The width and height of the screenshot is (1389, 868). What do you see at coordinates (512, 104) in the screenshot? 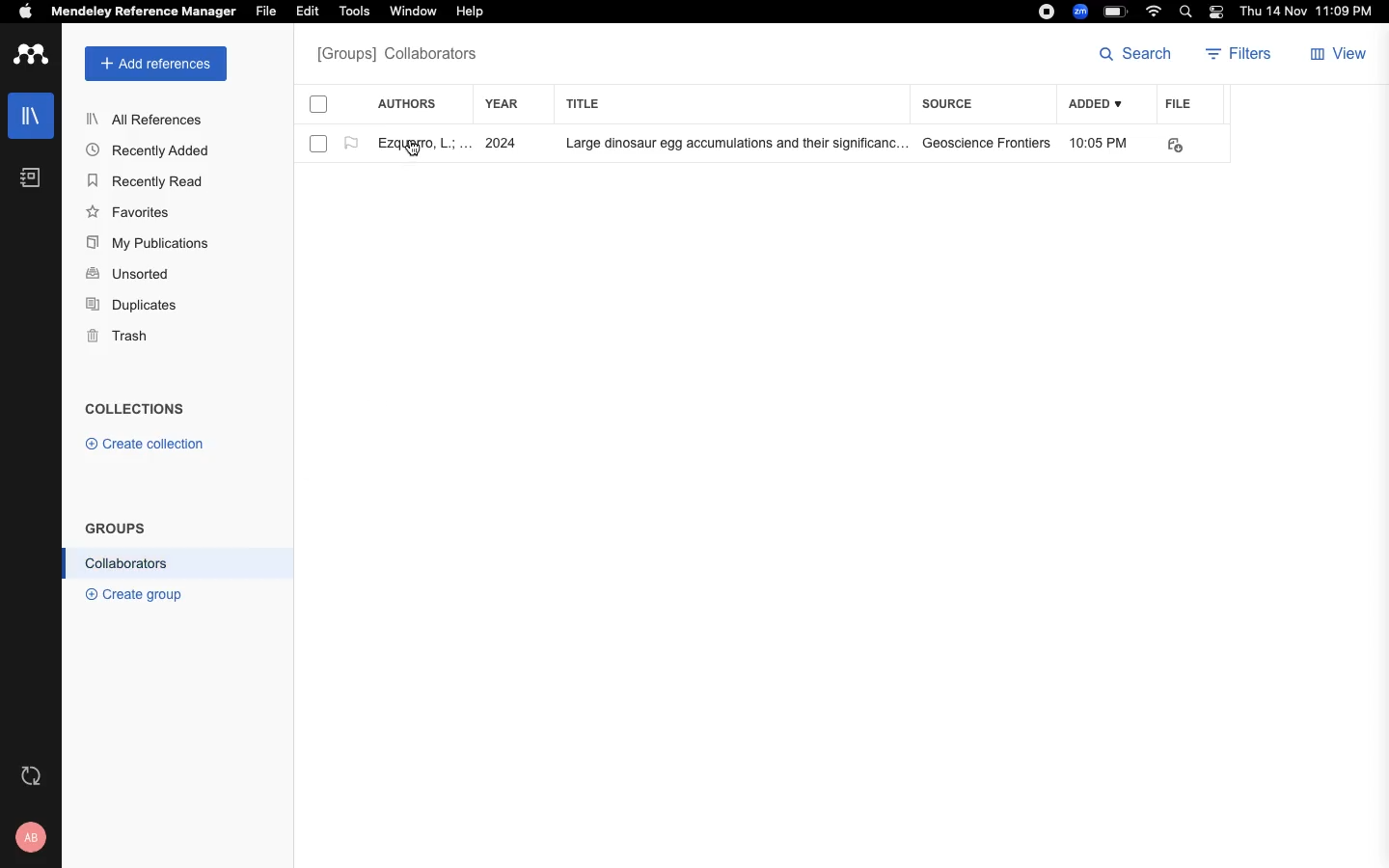
I see `year` at bounding box center [512, 104].